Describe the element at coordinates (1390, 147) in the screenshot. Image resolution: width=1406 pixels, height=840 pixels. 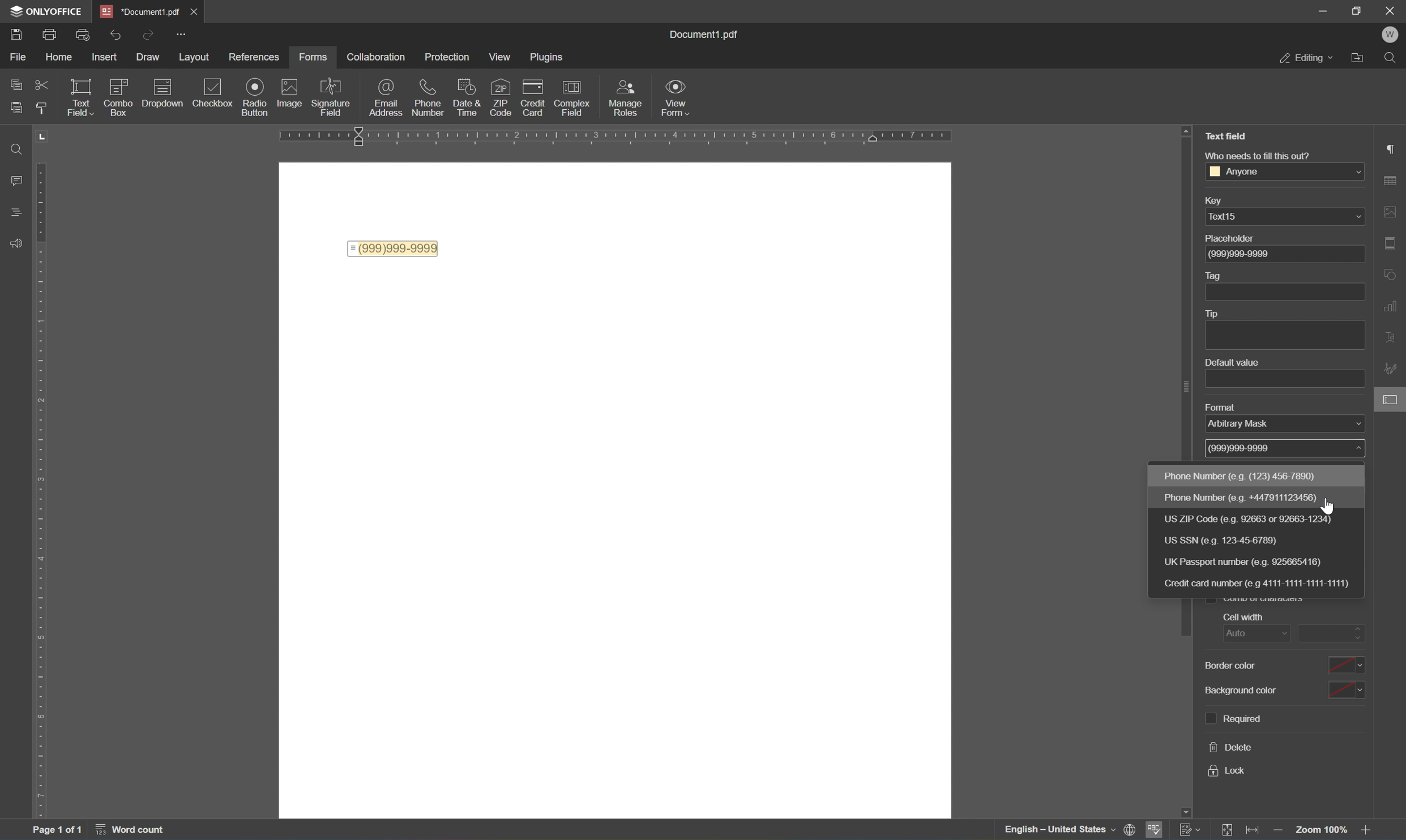
I see `paragraph settings` at that location.